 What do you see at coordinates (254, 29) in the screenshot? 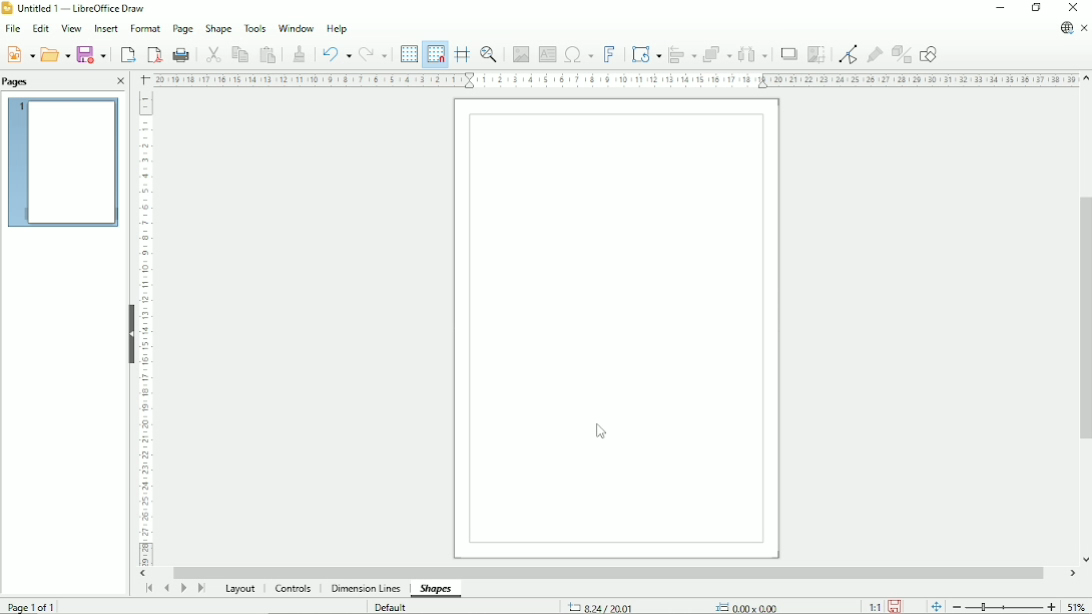
I see `Tools` at bounding box center [254, 29].